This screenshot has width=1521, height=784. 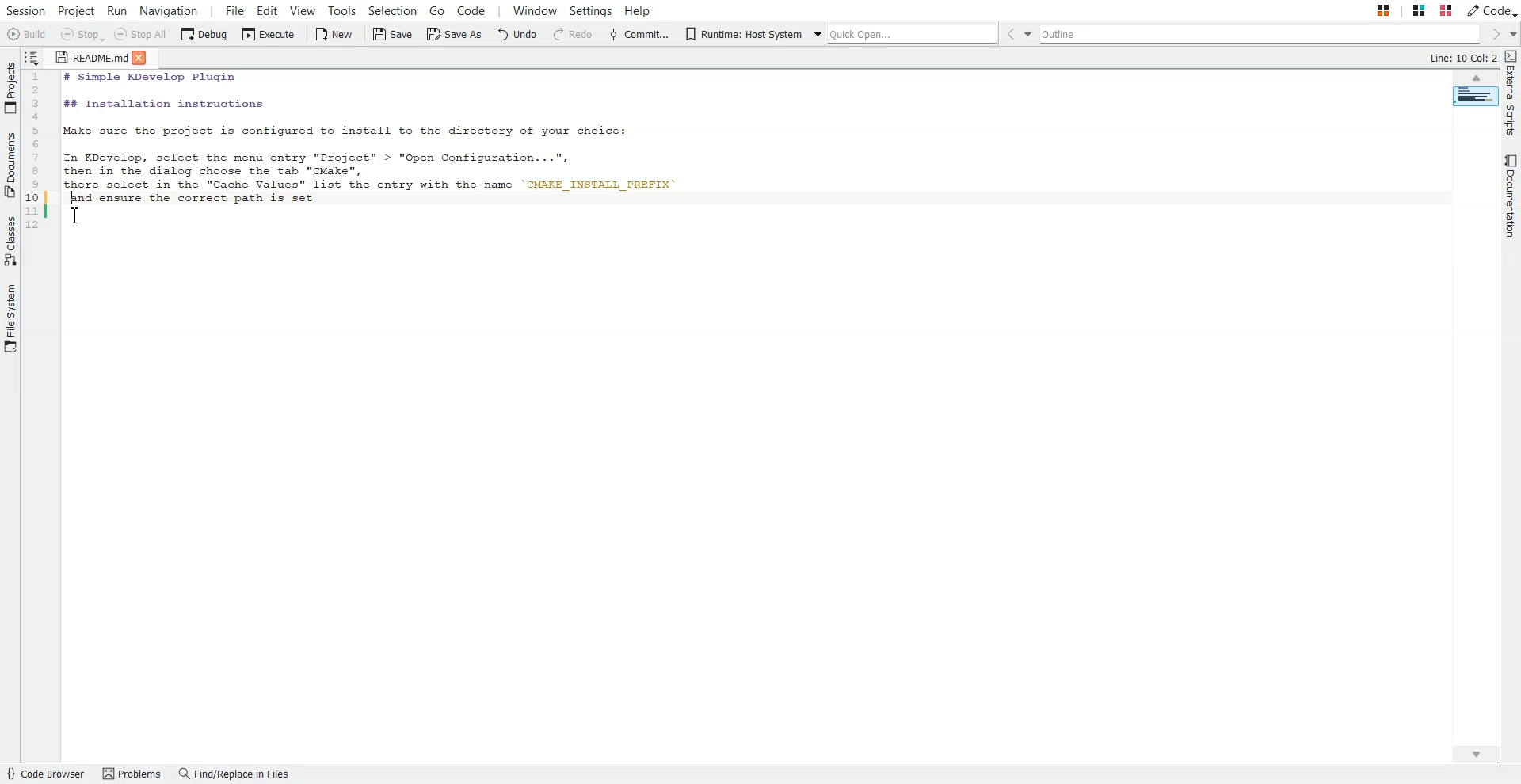 What do you see at coordinates (25, 34) in the screenshot?
I see `Build` at bounding box center [25, 34].